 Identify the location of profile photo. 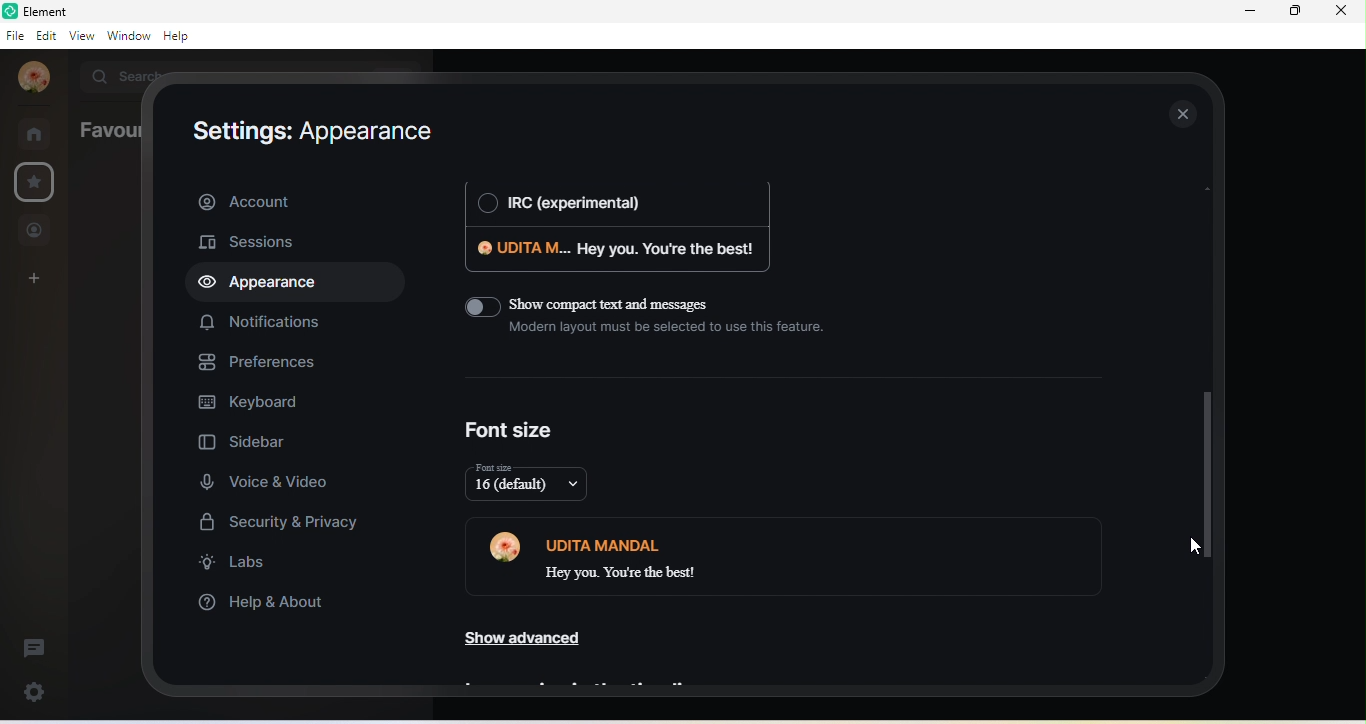
(511, 551).